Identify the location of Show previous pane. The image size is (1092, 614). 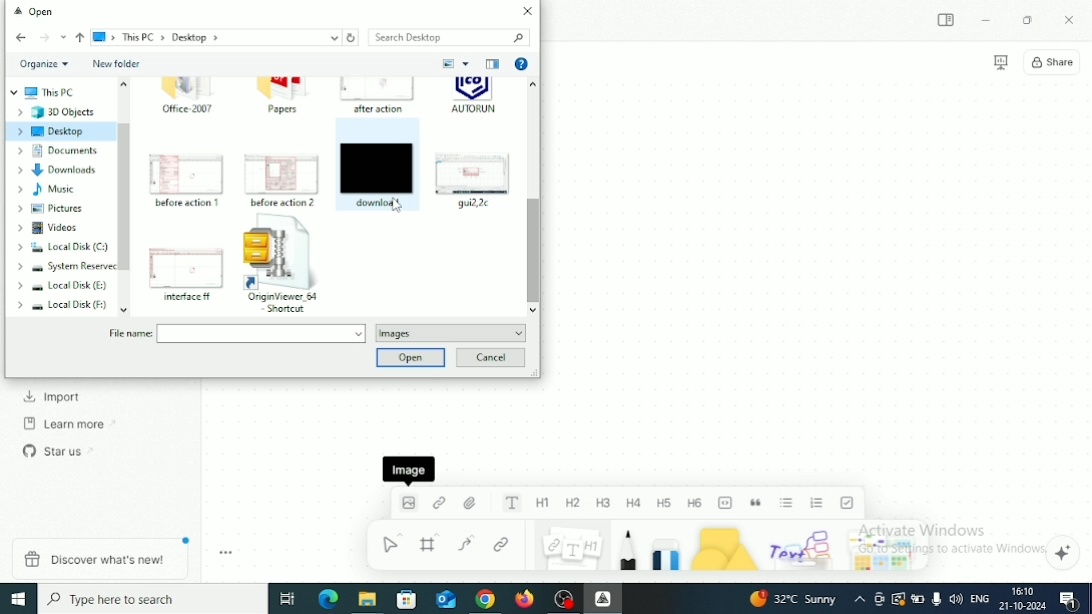
(495, 66).